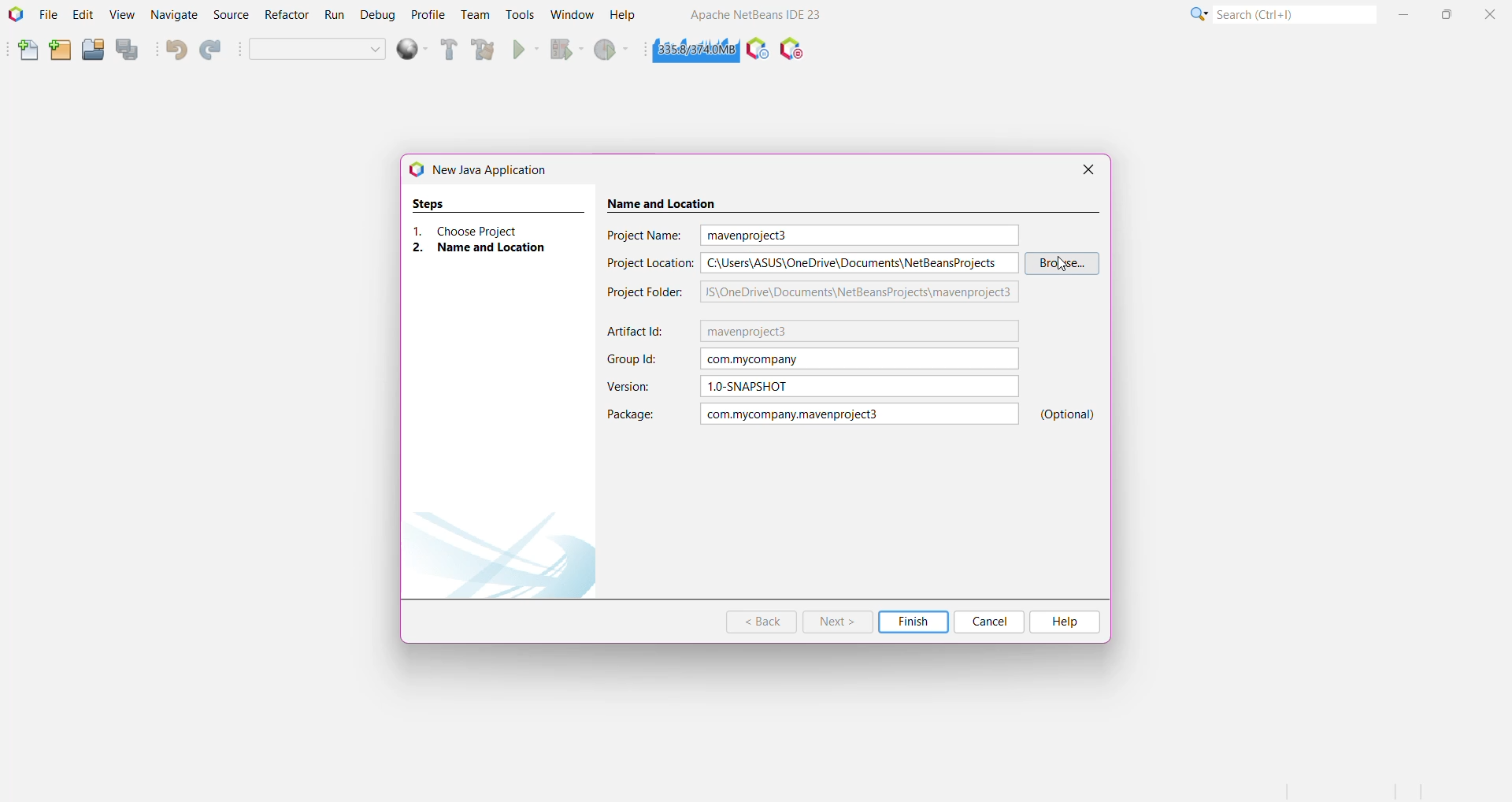 The width and height of the screenshot is (1512, 802). I want to click on Choose Project, so click(486, 230).